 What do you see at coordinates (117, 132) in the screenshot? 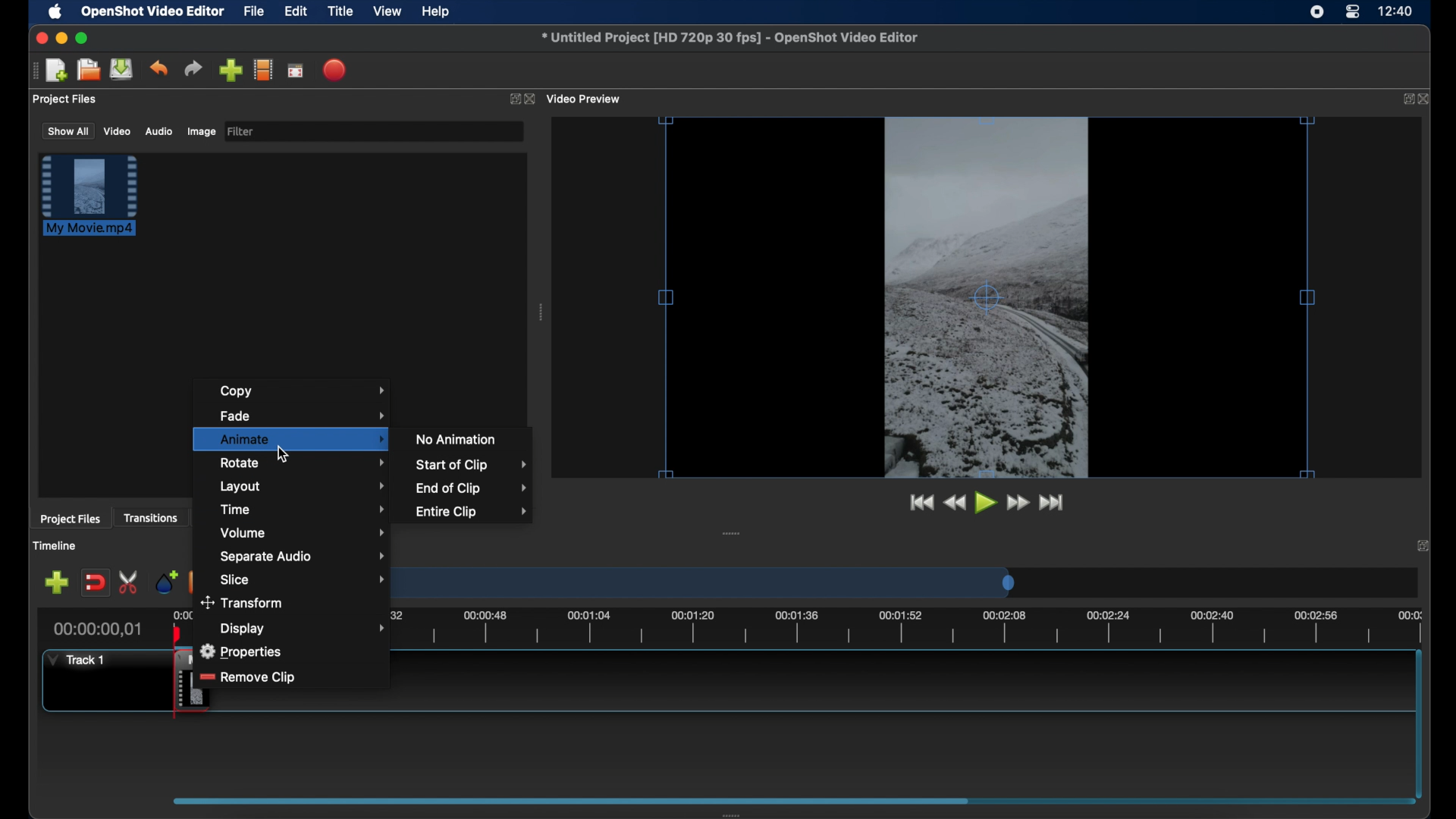
I see `video` at bounding box center [117, 132].